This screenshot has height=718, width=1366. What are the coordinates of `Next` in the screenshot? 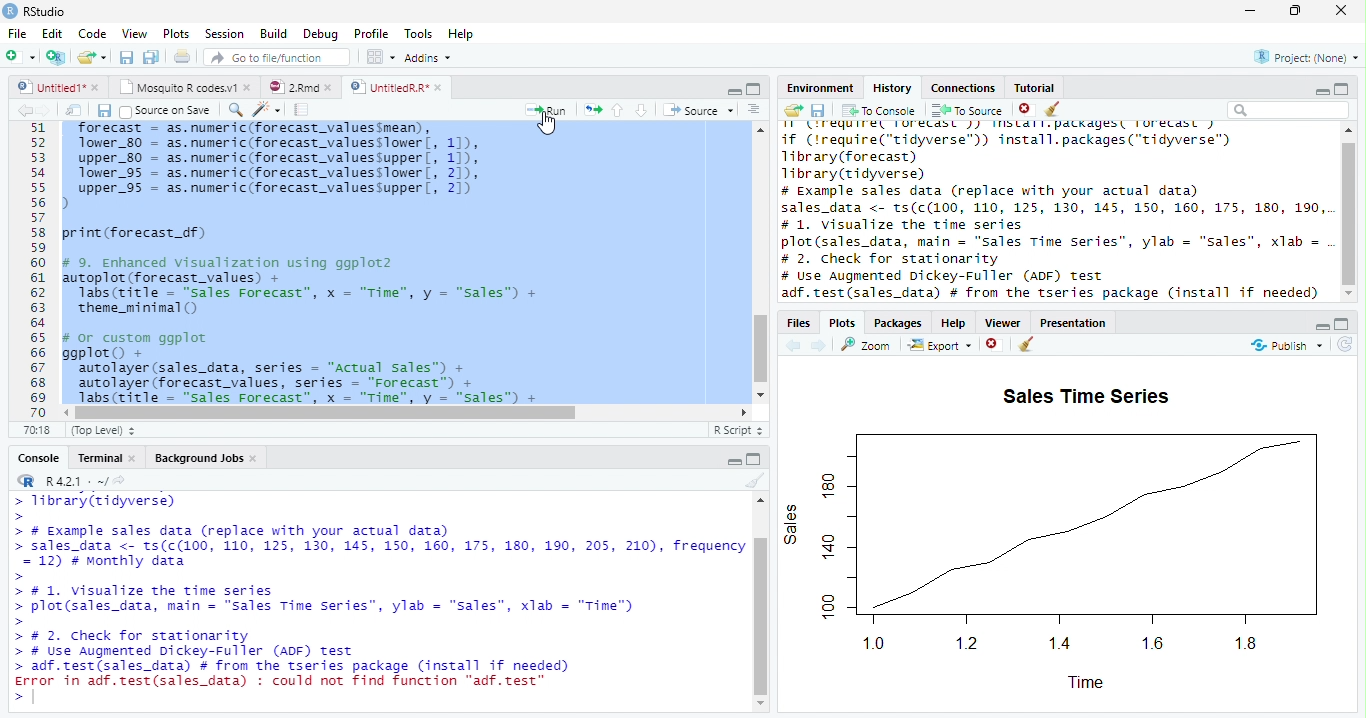 It's located at (821, 346).